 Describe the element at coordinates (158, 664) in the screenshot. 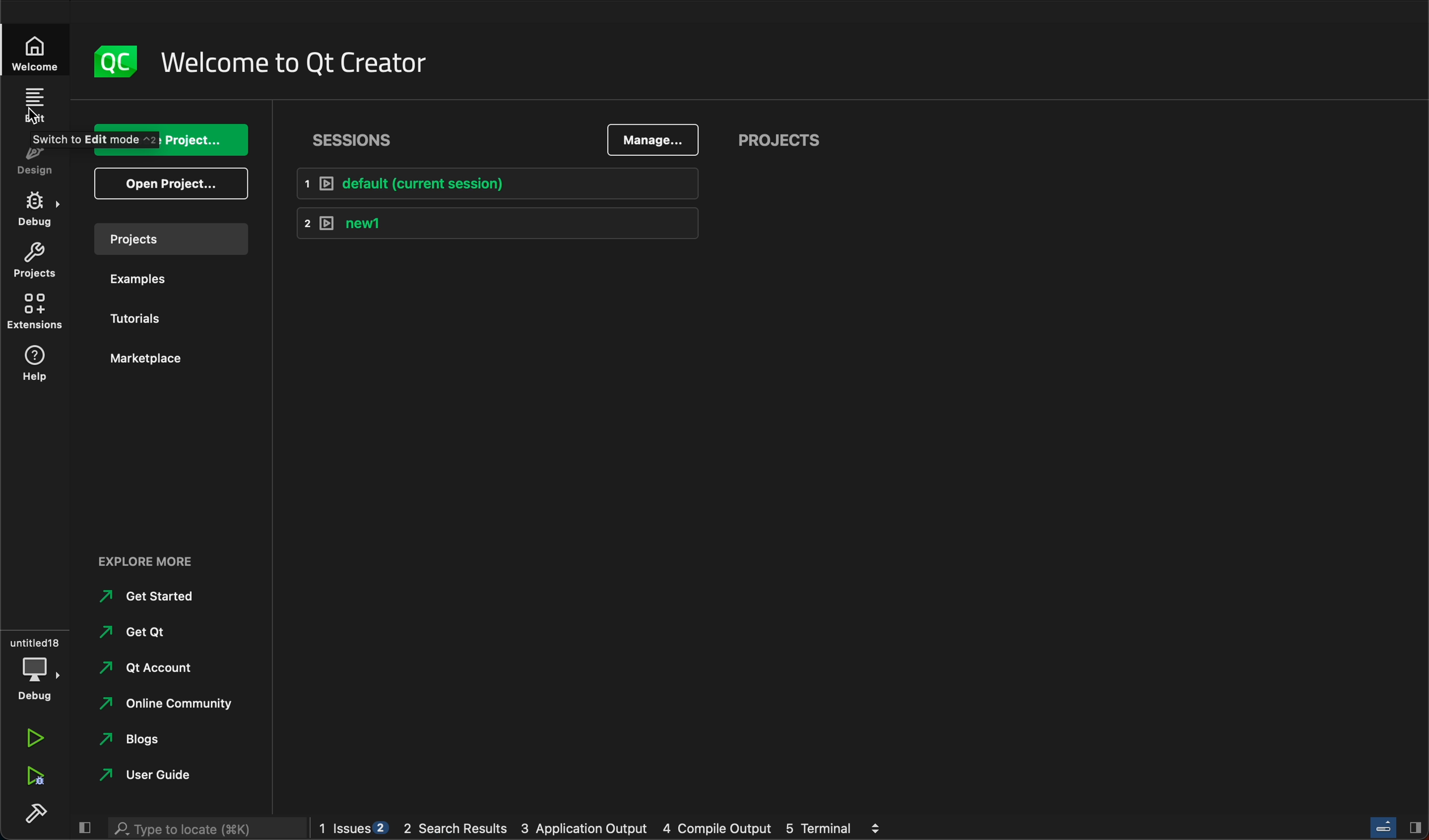

I see `qt` at that location.